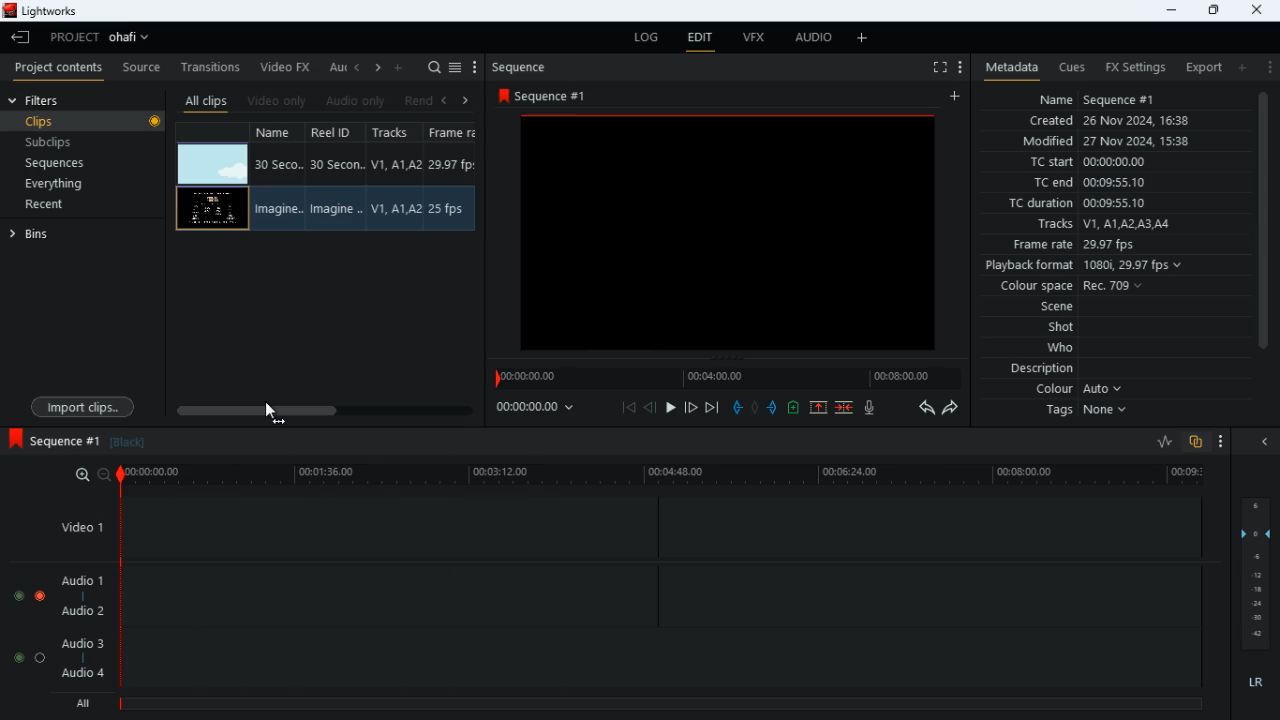 This screenshot has height=720, width=1280. I want to click on overlap, so click(1195, 441).